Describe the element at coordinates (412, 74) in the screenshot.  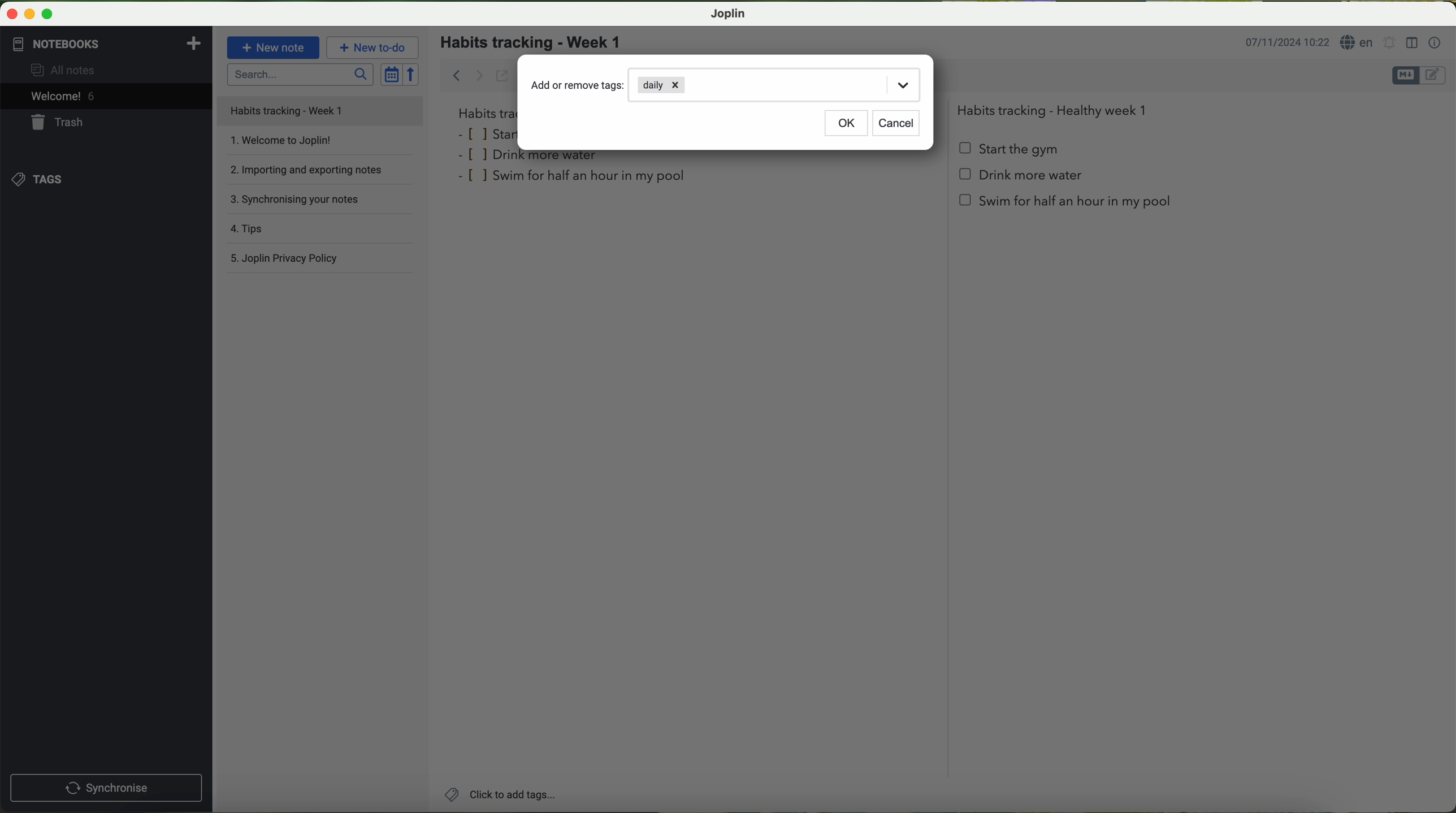
I see `reverse sort order` at that location.